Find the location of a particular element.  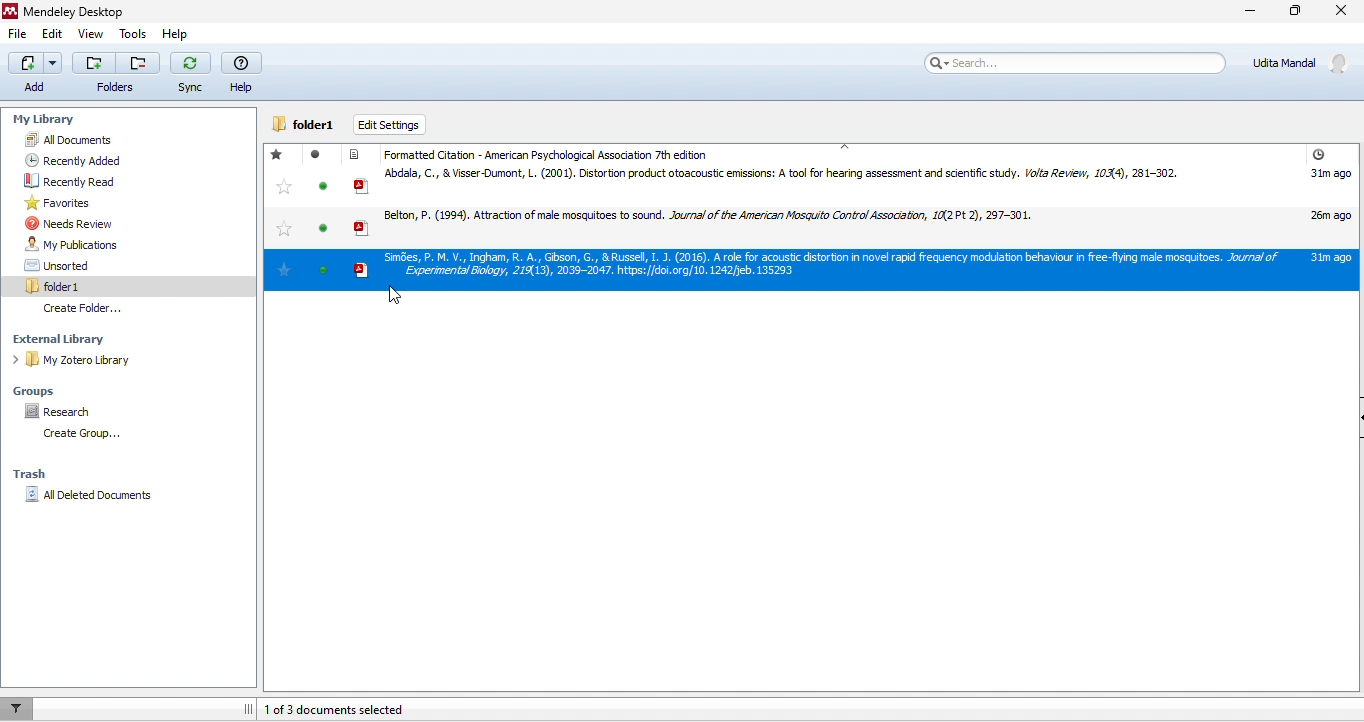

research articles is located at coordinates (851, 222).